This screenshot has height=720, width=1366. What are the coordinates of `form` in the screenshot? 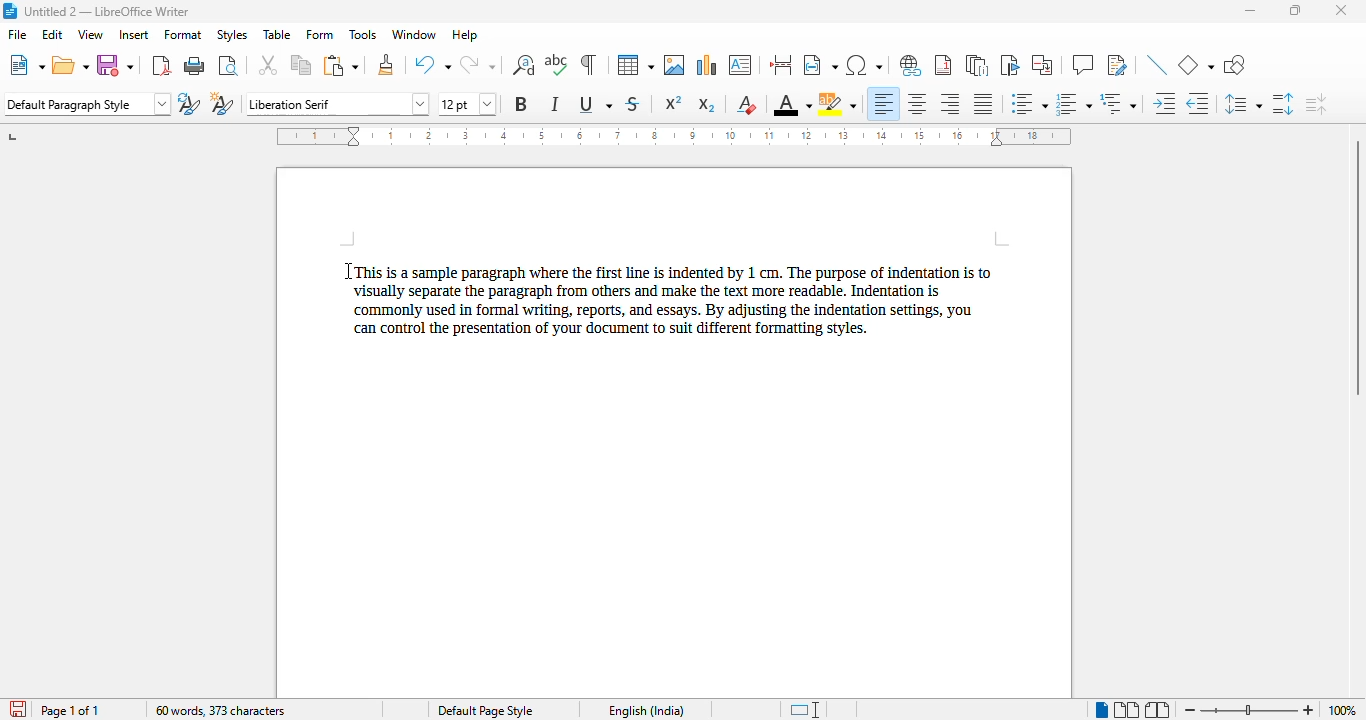 It's located at (320, 35).